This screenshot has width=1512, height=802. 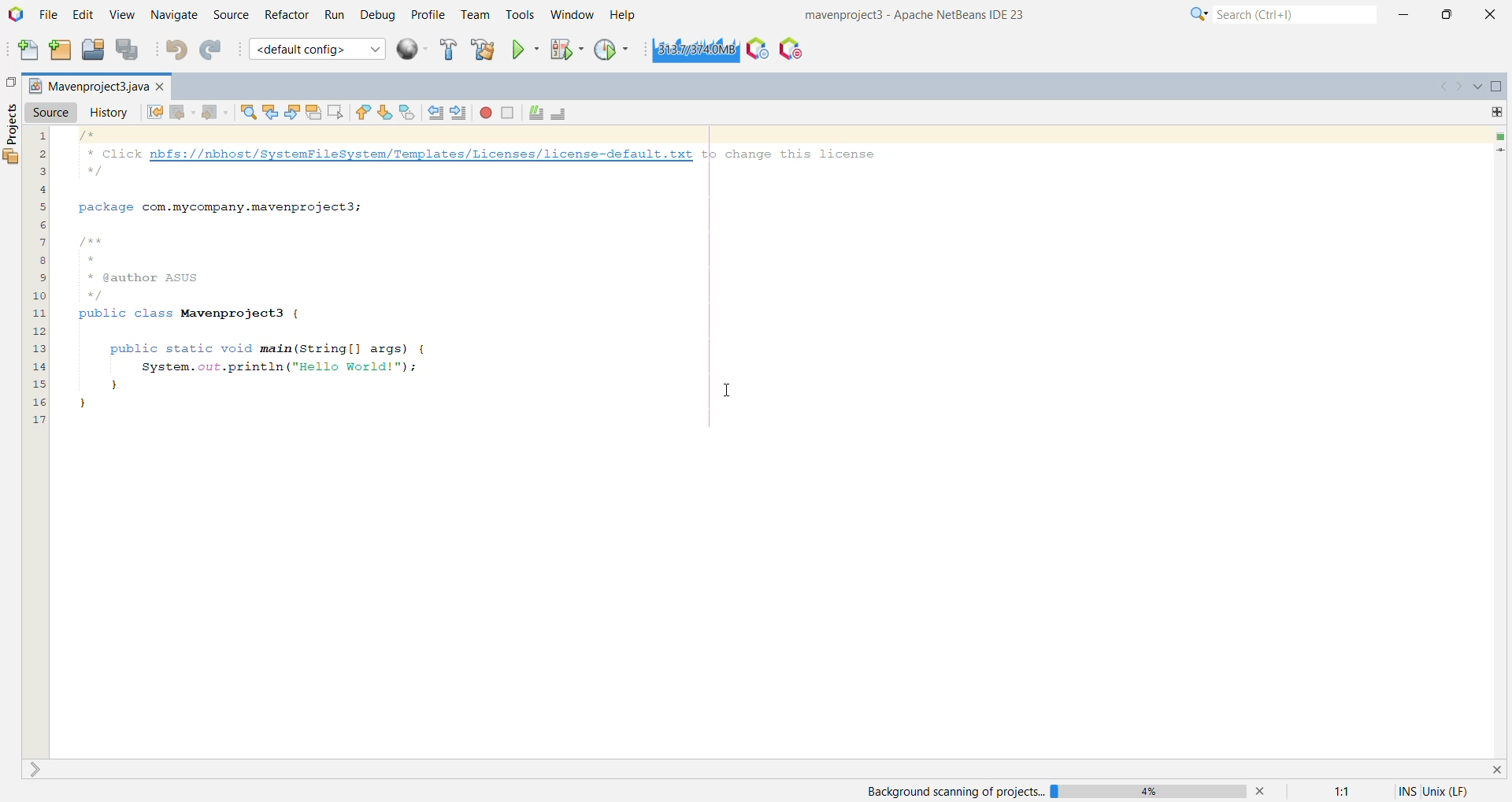 What do you see at coordinates (1458, 87) in the screenshot?
I see `Scroll Documents Right` at bounding box center [1458, 87].